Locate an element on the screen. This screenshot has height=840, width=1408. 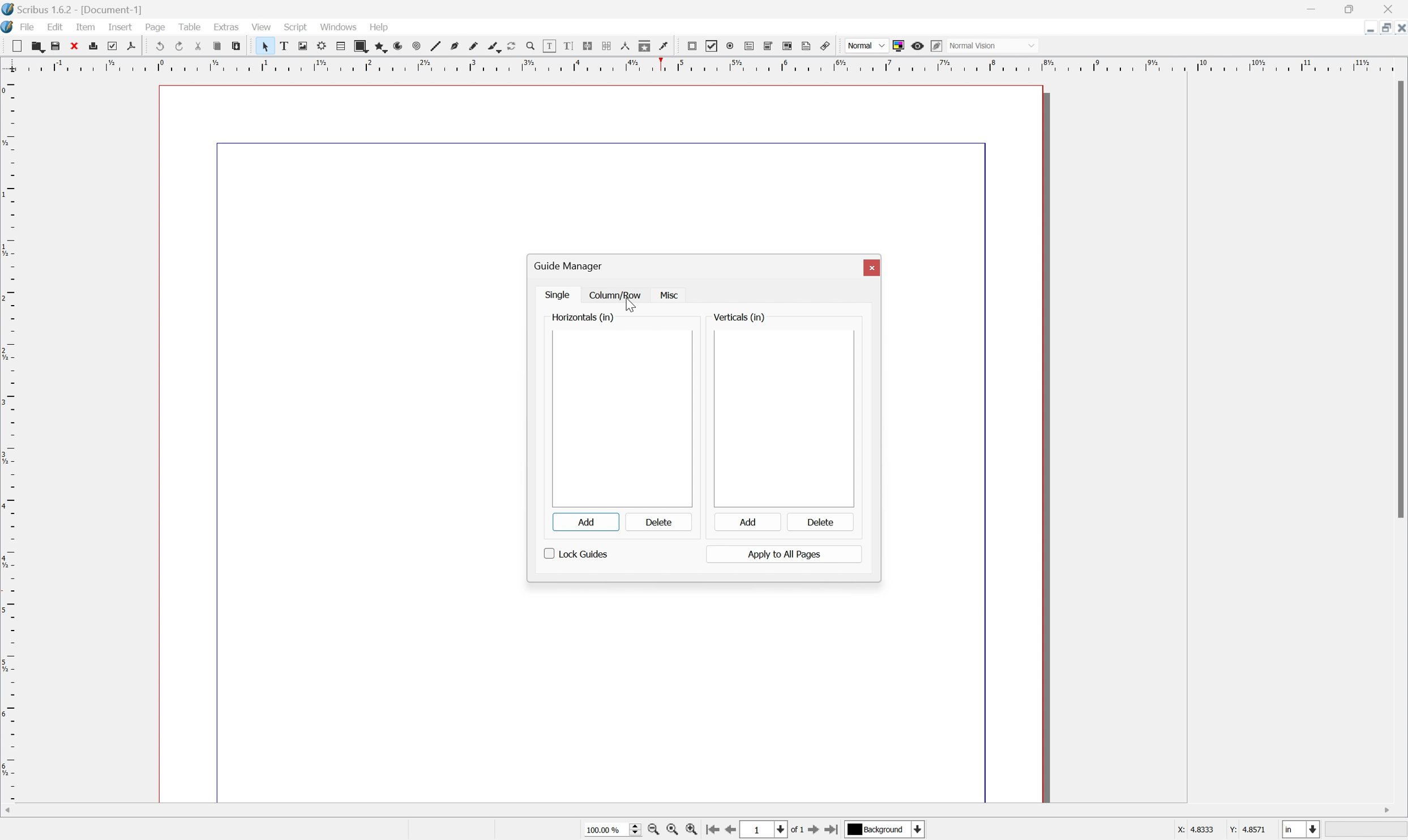
undo is located at coordinates (157, 44).